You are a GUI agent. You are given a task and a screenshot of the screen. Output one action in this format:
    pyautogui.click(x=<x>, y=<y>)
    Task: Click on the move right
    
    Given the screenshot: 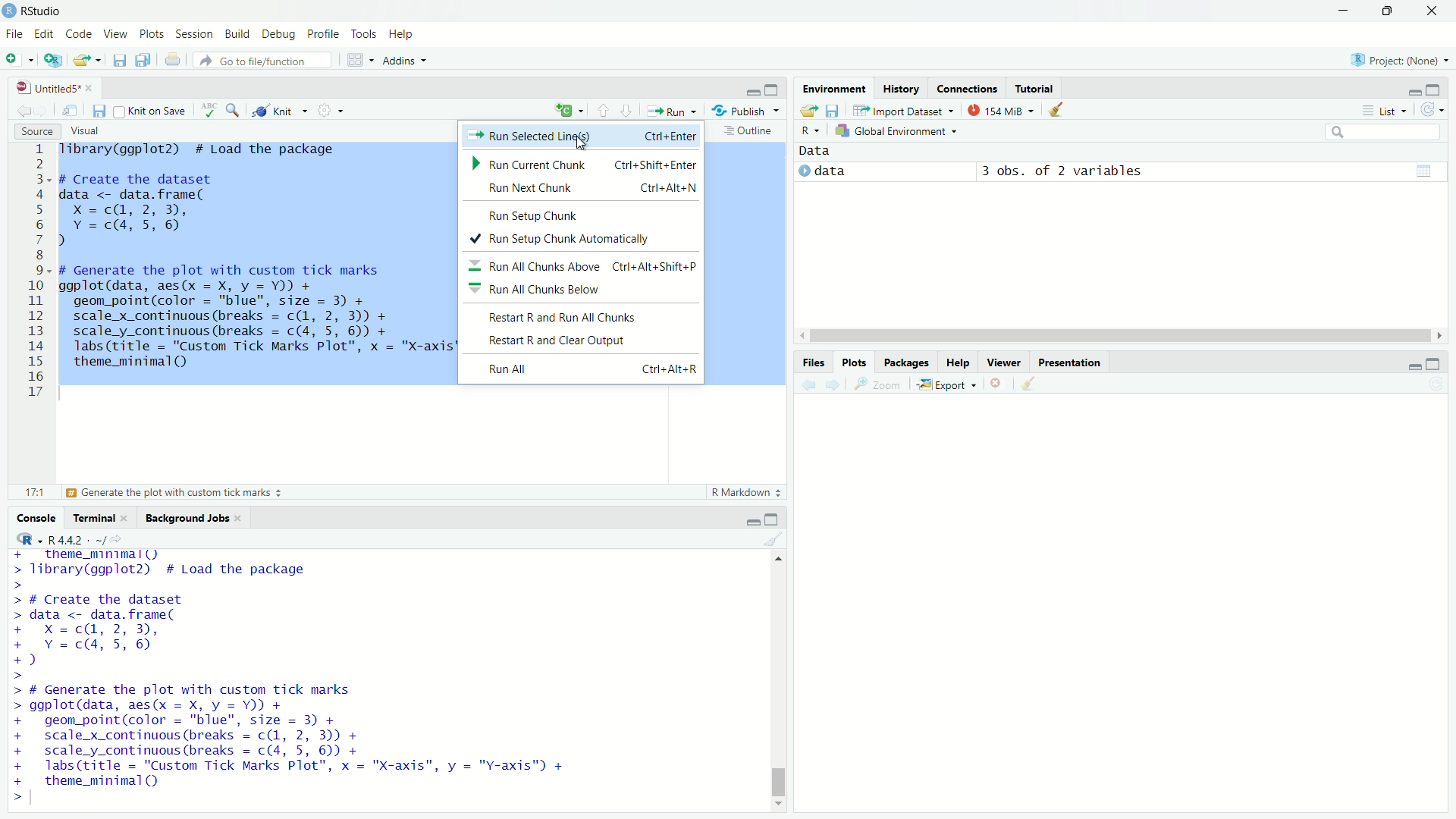 What is the action you would take?
    pyautogui.click(x=1442, y=334)
    